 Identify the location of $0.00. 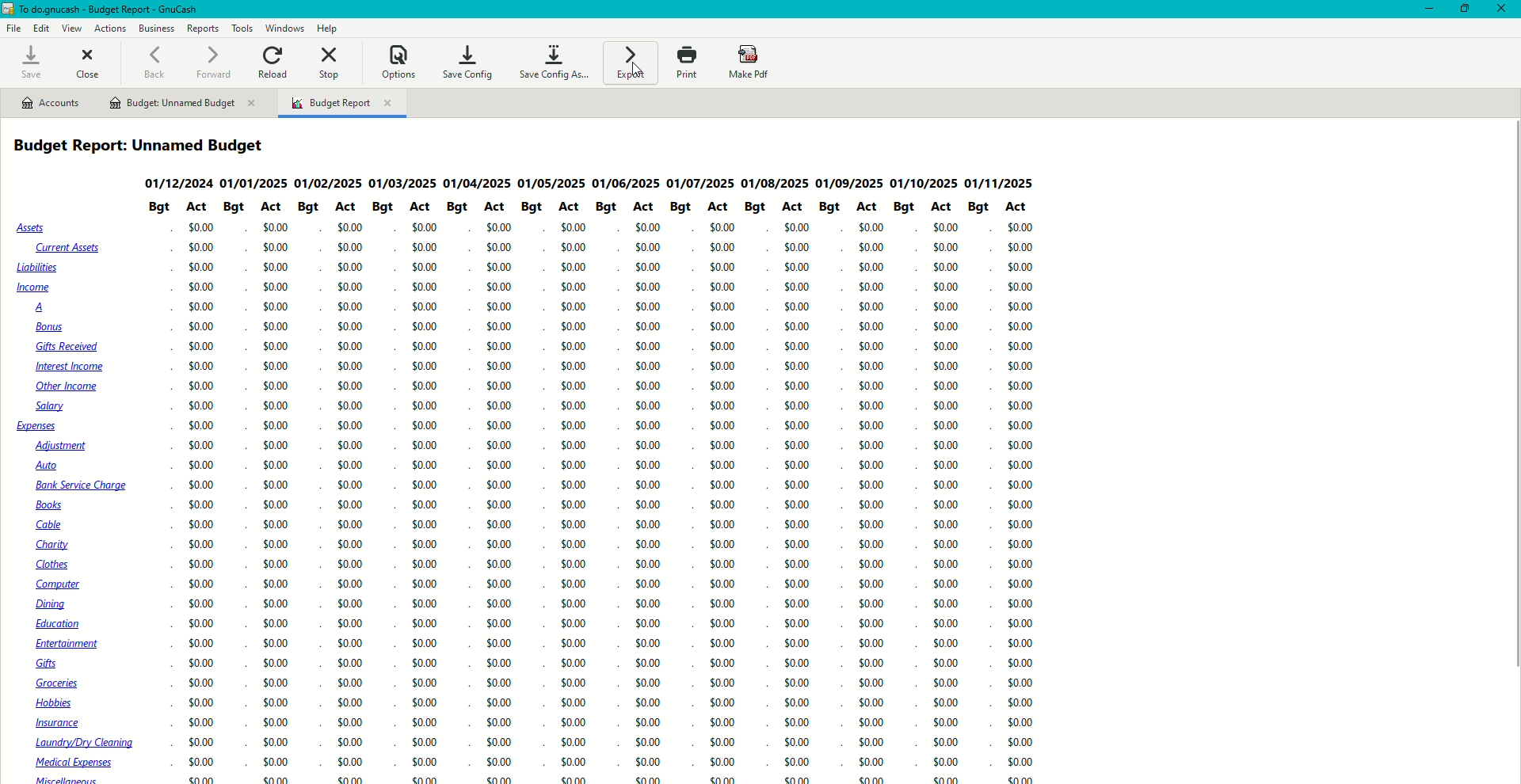
(353, 565).